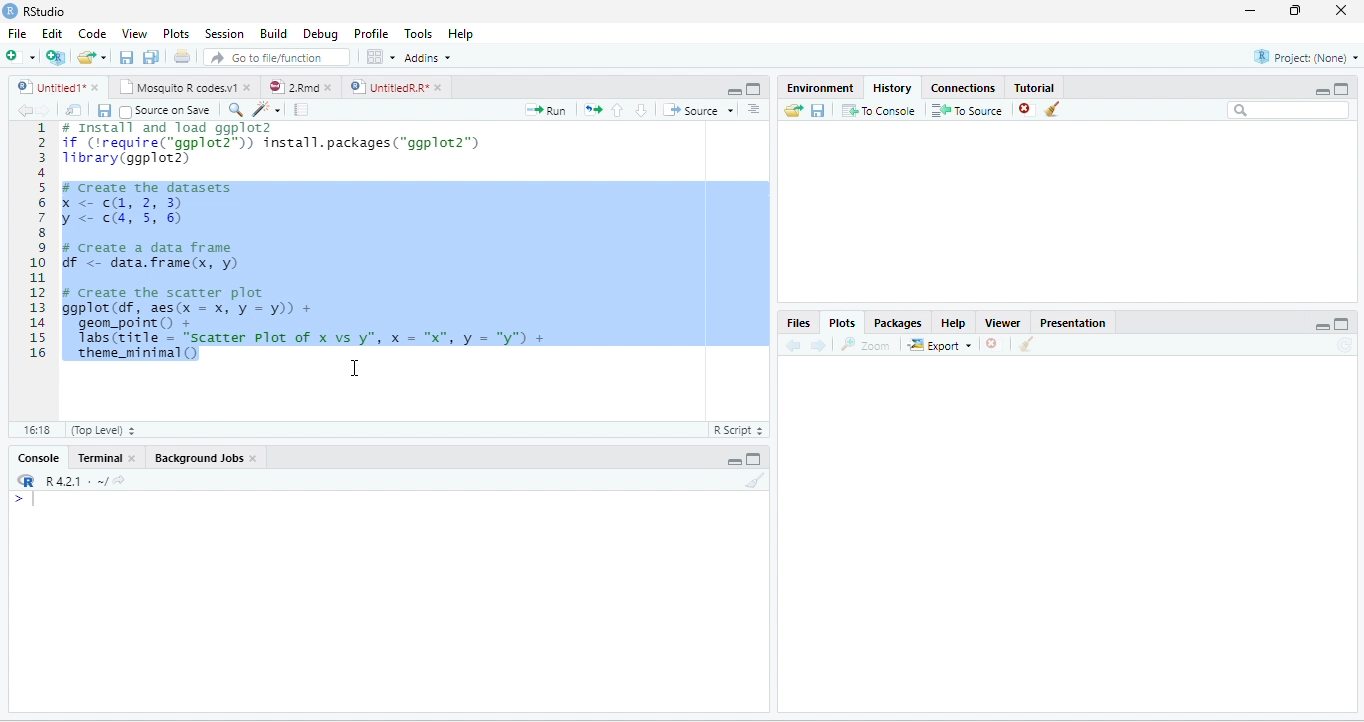 The image size is (1364, 722). Describe the element at coordinates (134, 33) in the screenshot. I see `View` at that location.